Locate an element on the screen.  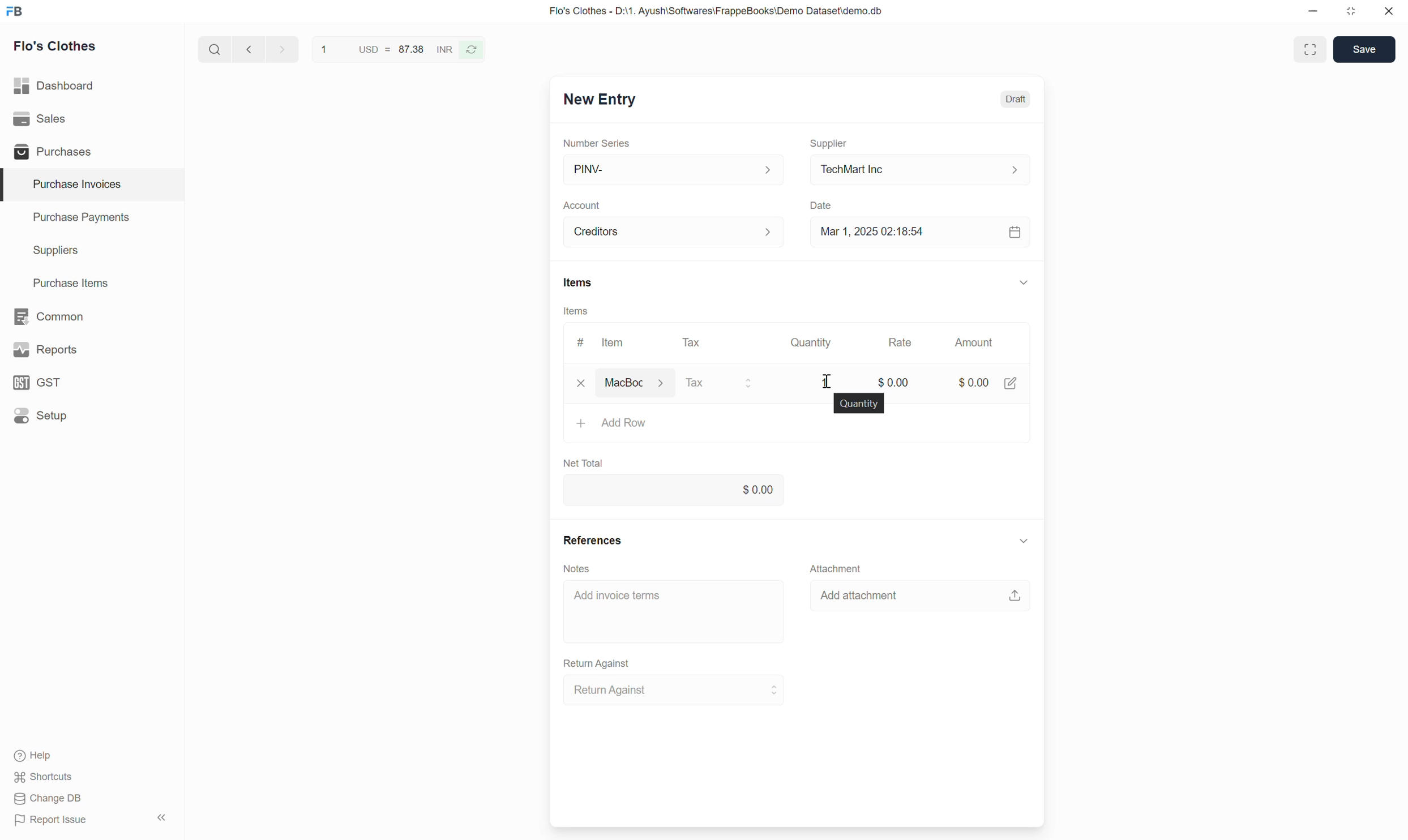
Toggle between form and full width is located at coordinates (1309, 49).